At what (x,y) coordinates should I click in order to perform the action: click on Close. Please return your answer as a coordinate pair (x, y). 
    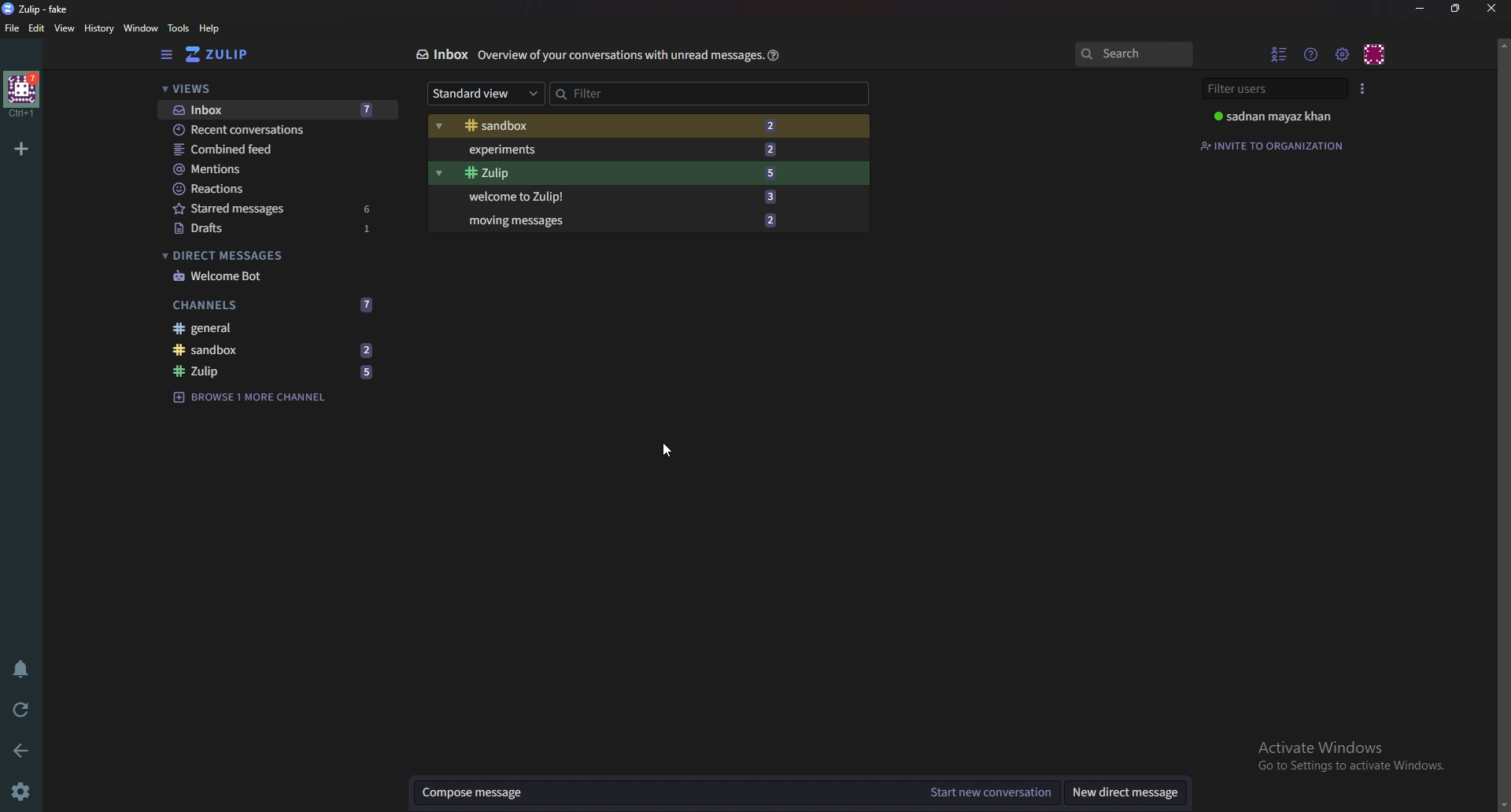
    Looking at the image, I should click on (1494, 8).